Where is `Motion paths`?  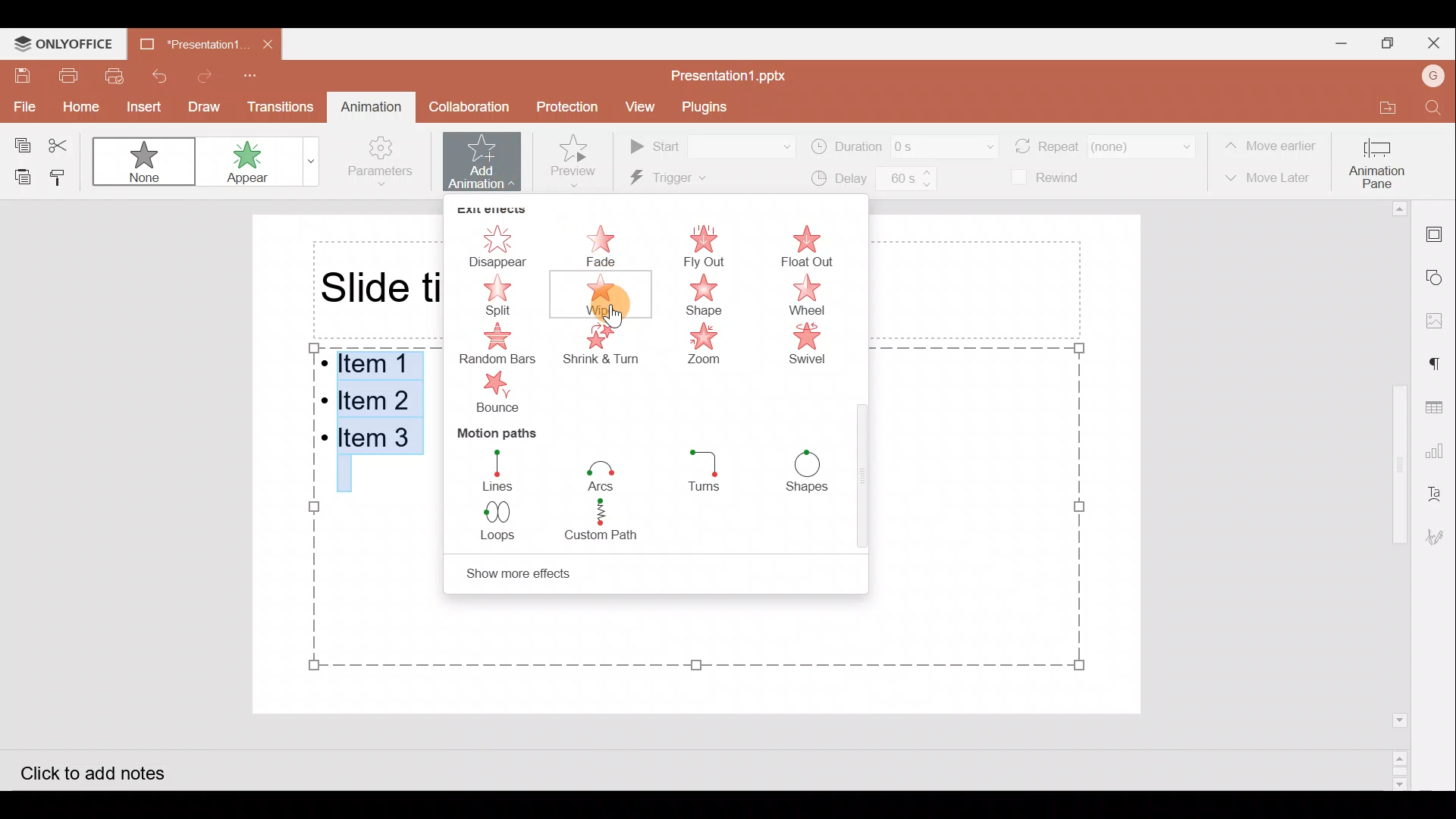
Motion paths is located at coordinates (510, 431).